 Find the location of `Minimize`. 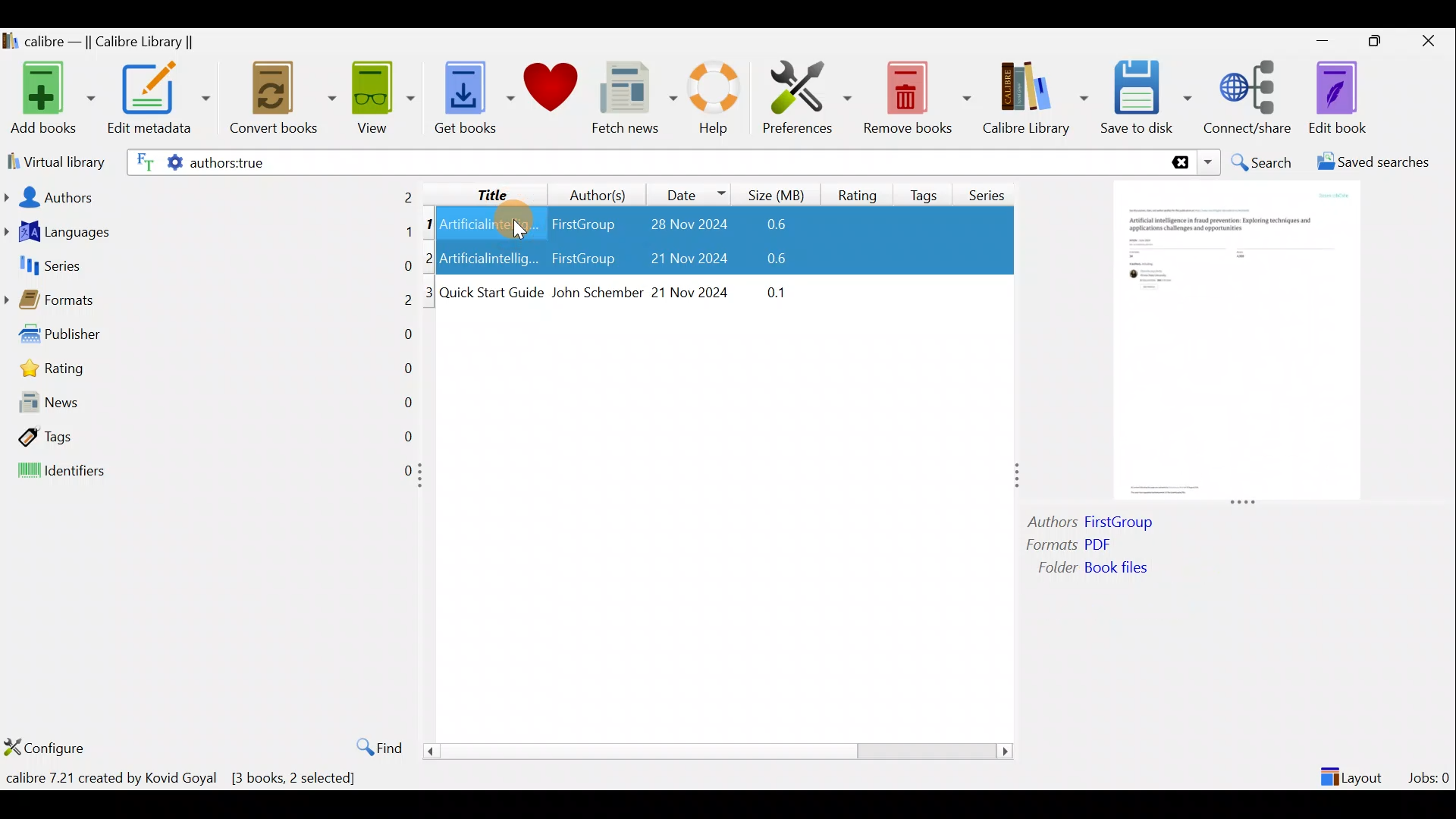

Minimize is located at coordinates (1323, 40).